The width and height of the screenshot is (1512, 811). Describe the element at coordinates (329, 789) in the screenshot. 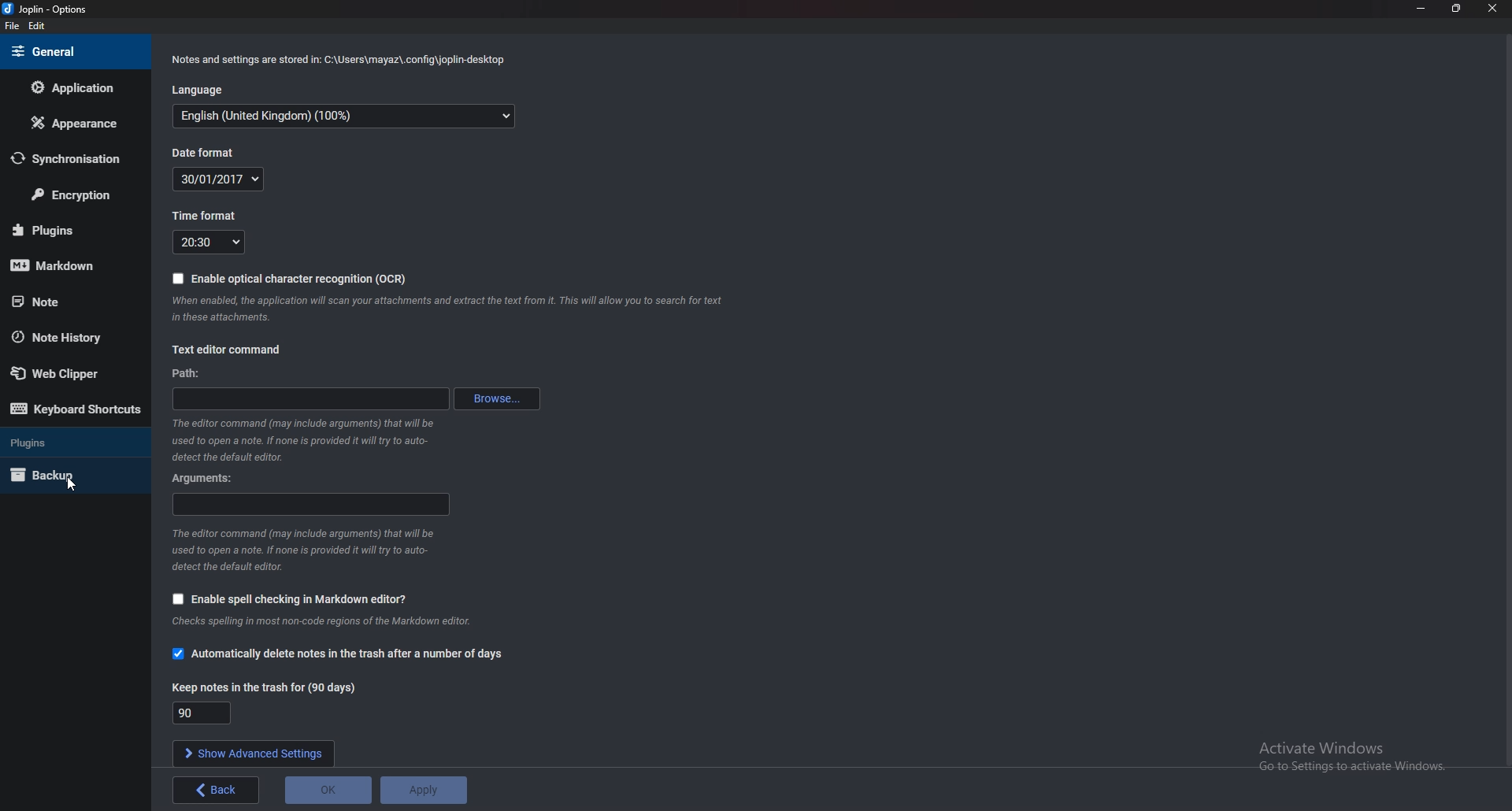

I see `O K` at that location.